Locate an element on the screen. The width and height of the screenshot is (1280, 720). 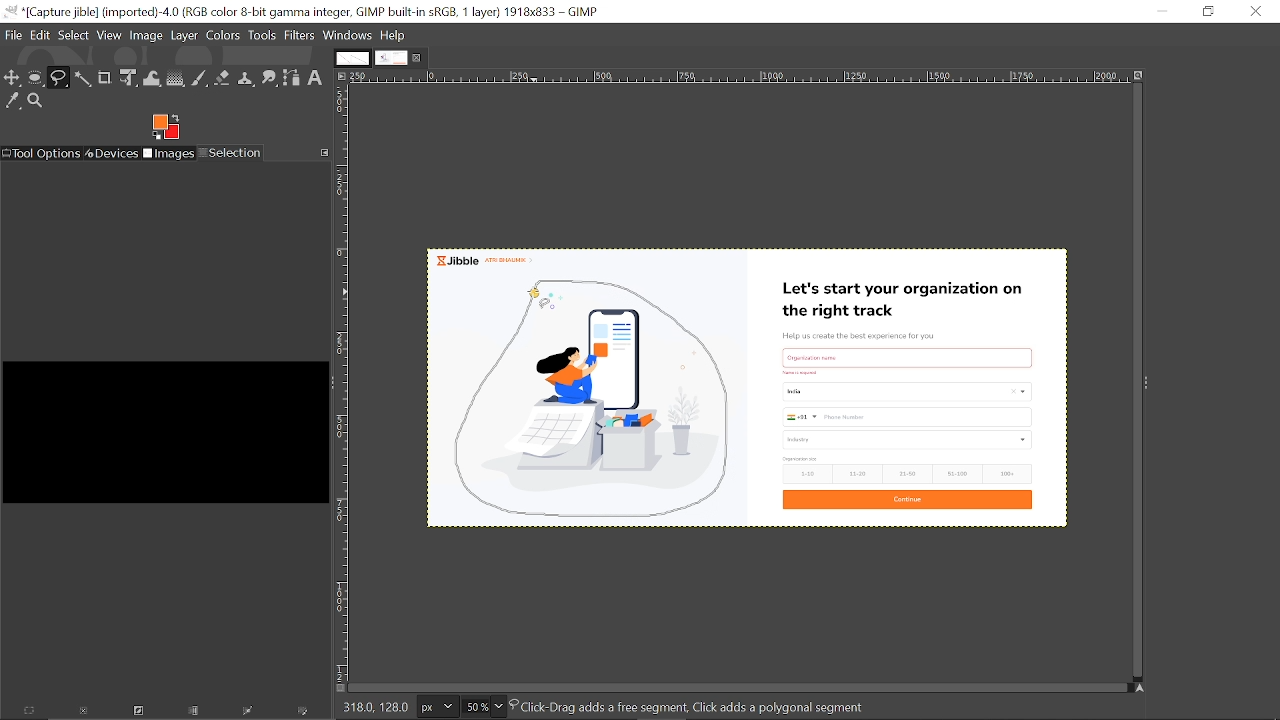
Zoom tool is located at coordinates (36, 101).